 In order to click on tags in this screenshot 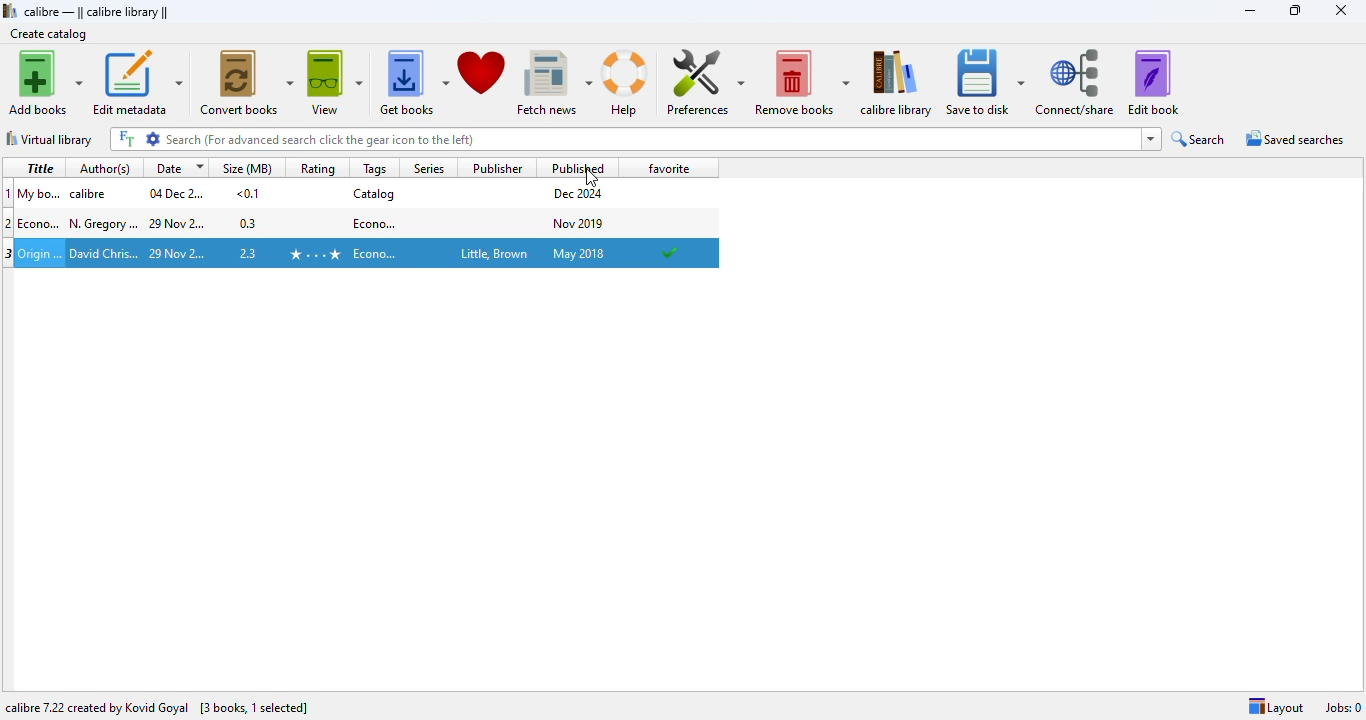, I will do `click(374, 167)`.